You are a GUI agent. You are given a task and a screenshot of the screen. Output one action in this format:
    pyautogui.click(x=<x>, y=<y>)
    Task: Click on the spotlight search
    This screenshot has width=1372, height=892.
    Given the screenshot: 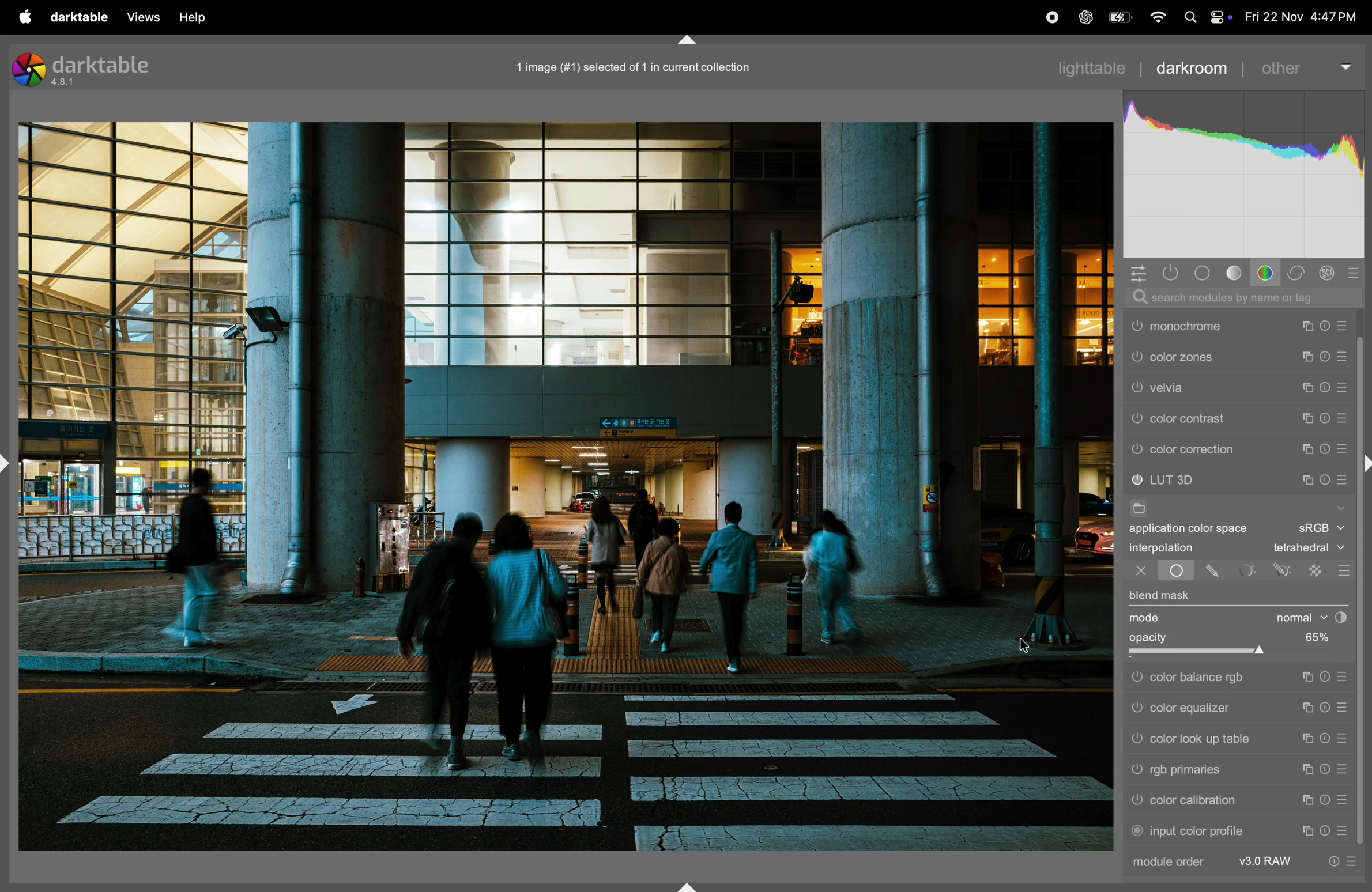 What is the action you would take?
    pyautogui.click(x=1189, y=16)
    